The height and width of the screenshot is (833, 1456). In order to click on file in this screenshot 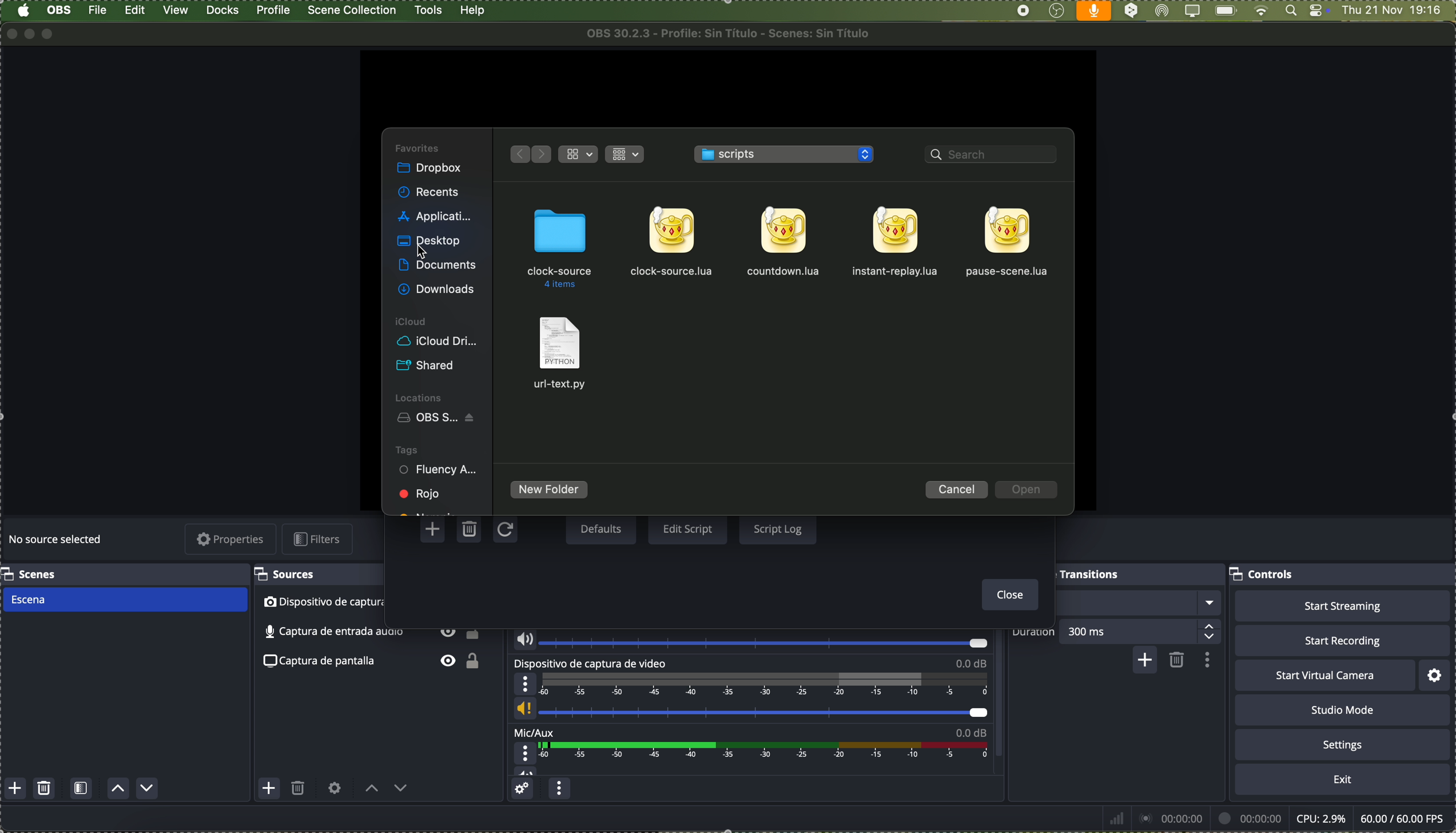, I will do `click(562, 353)`.